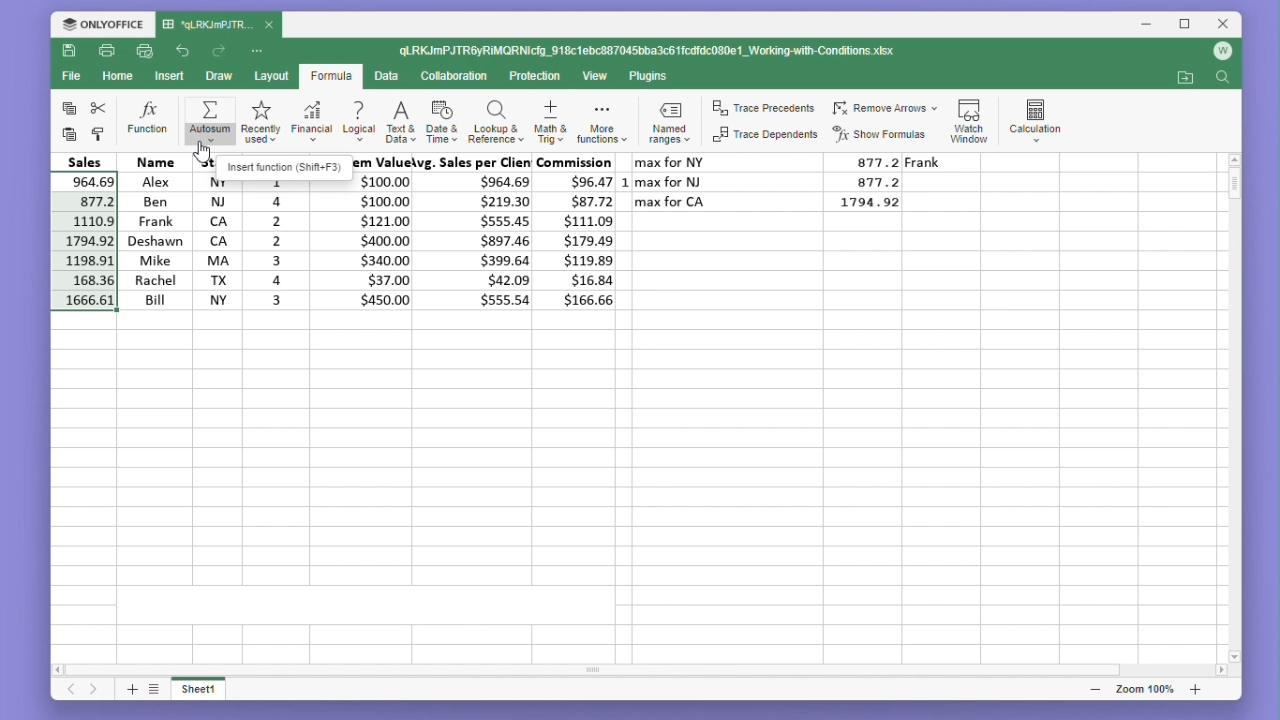 This screenshot has width=1280, height=720. I want to click on Sheet 1, so click(209, 692).